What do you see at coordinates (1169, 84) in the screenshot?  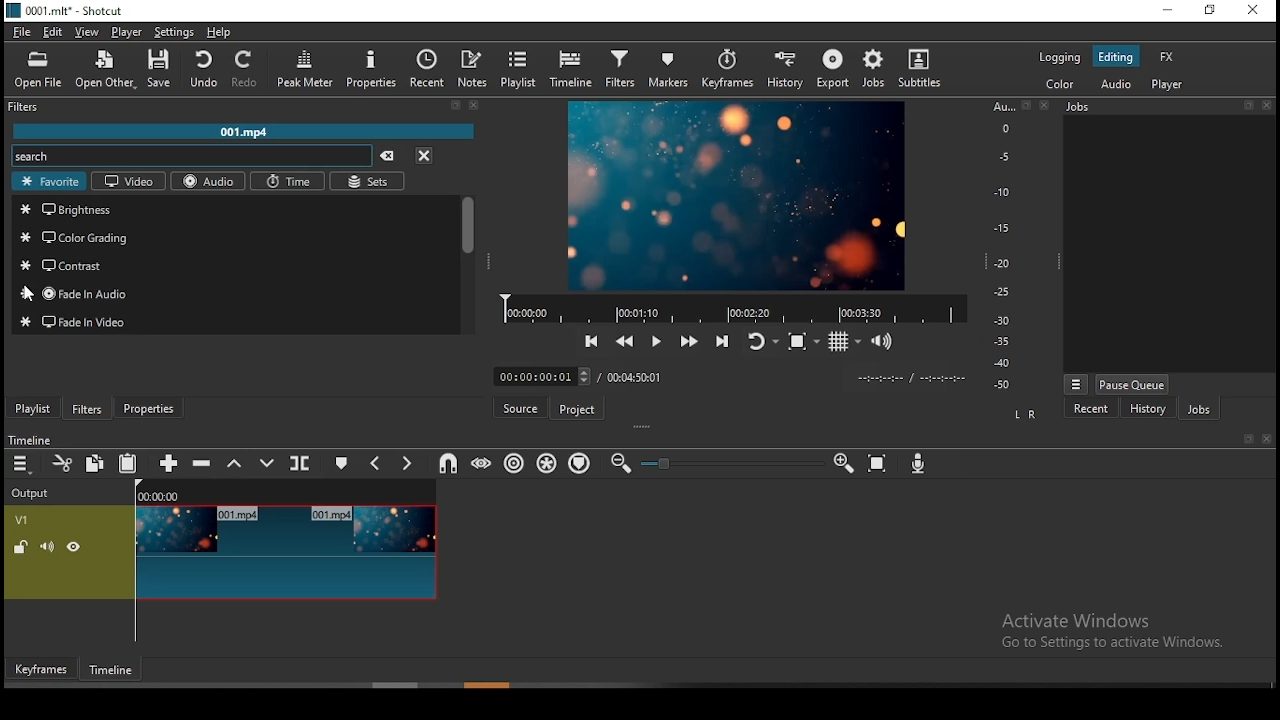 I see `player` at bounding box center [1169, 84].